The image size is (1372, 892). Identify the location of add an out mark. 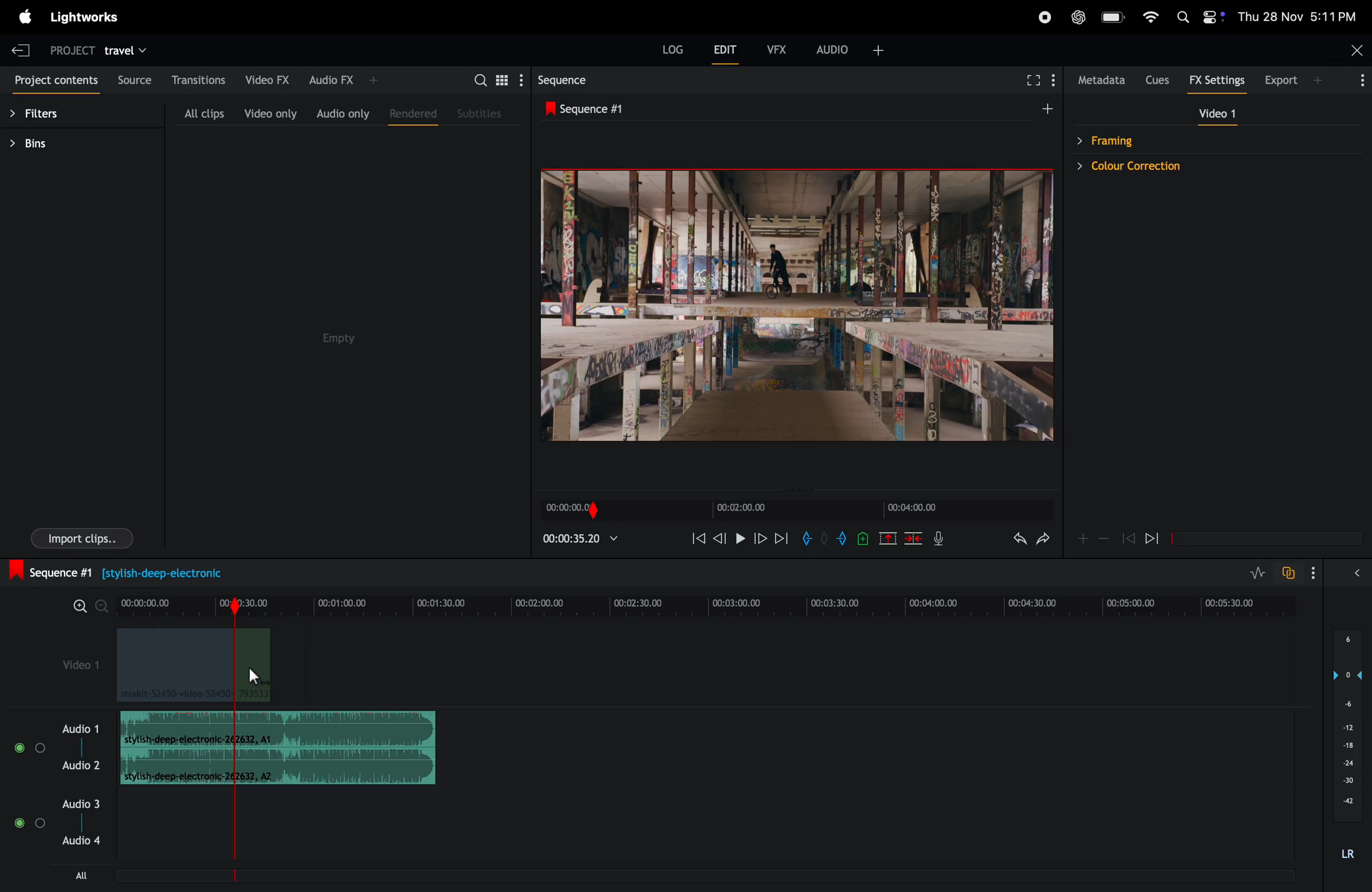
(839, 540).